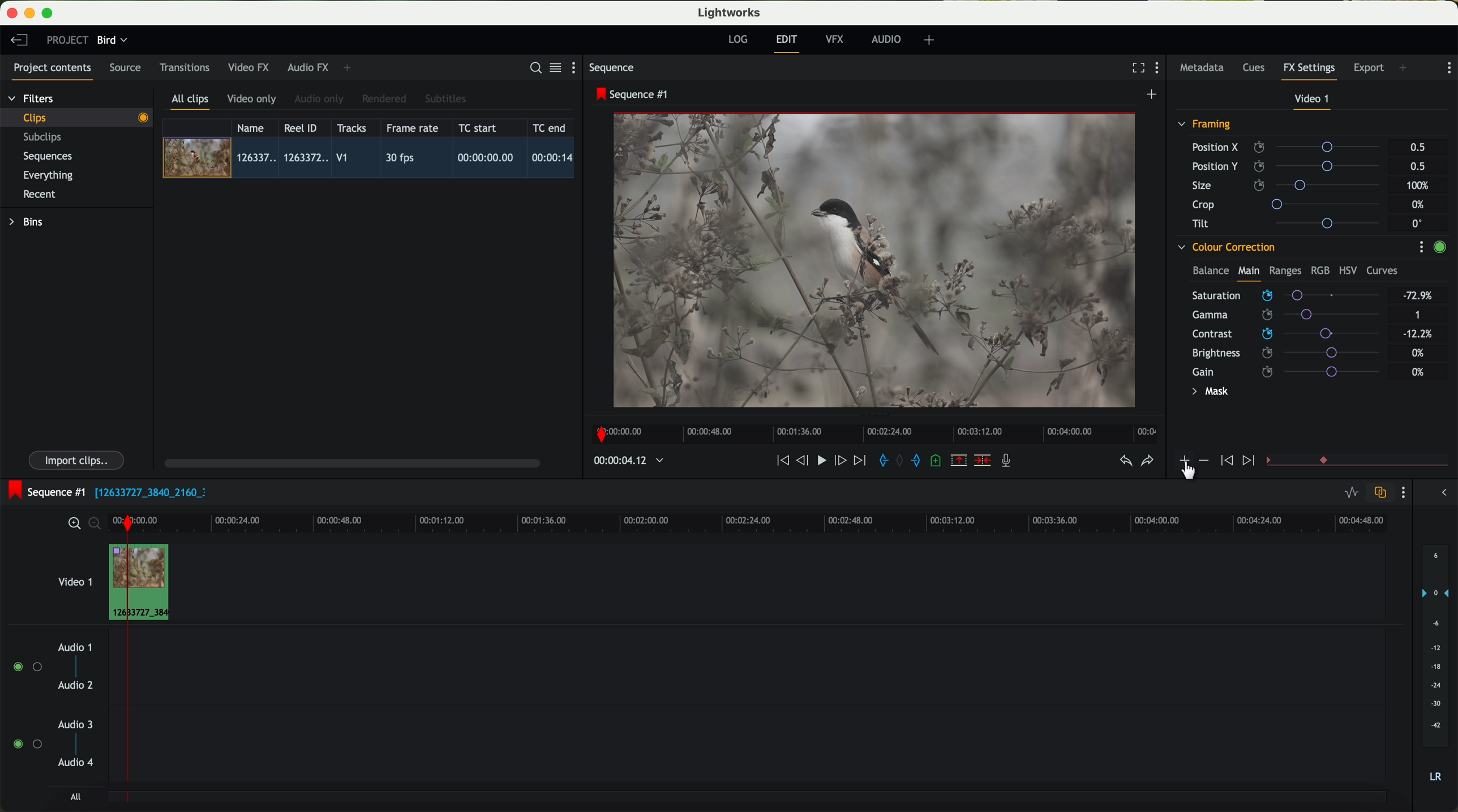  What do you see at coordinates (788, 42) in the screenshot?
I see `edit` at bounding box center [788, 42].